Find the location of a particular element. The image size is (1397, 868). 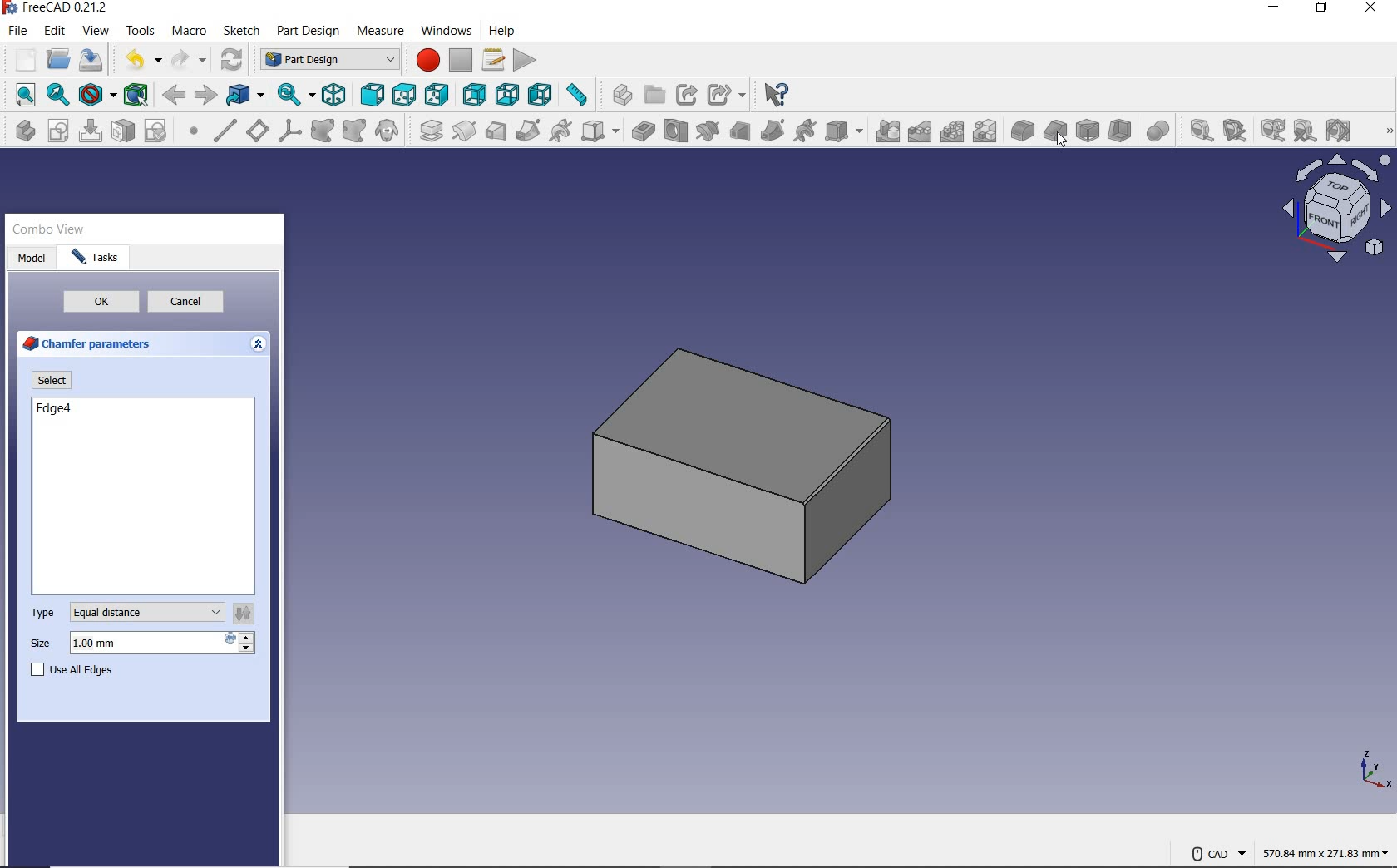

Plane view  is located at coordinates (1338, 209).